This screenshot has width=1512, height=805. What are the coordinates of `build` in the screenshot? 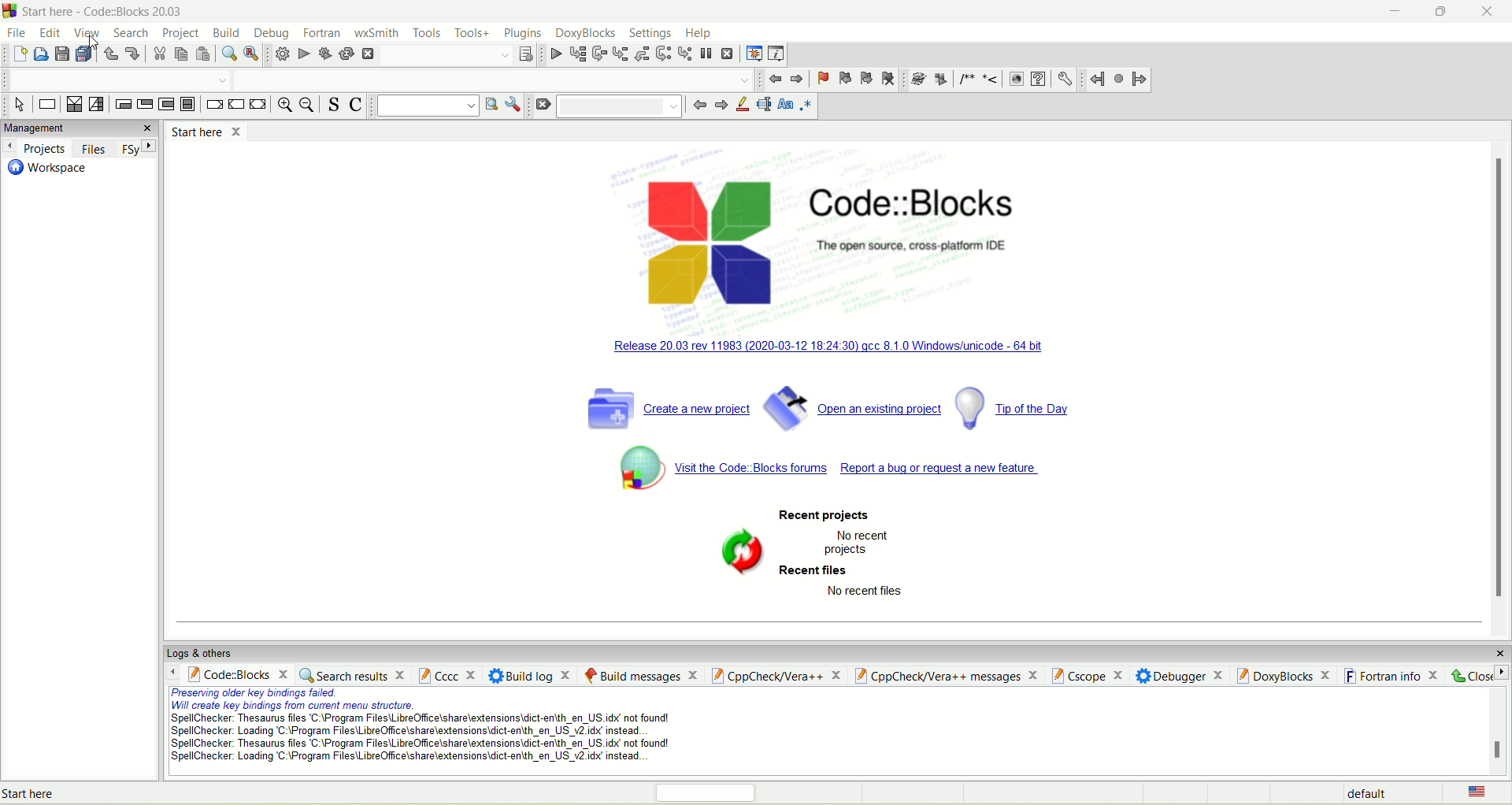 It's located at (283, 55).